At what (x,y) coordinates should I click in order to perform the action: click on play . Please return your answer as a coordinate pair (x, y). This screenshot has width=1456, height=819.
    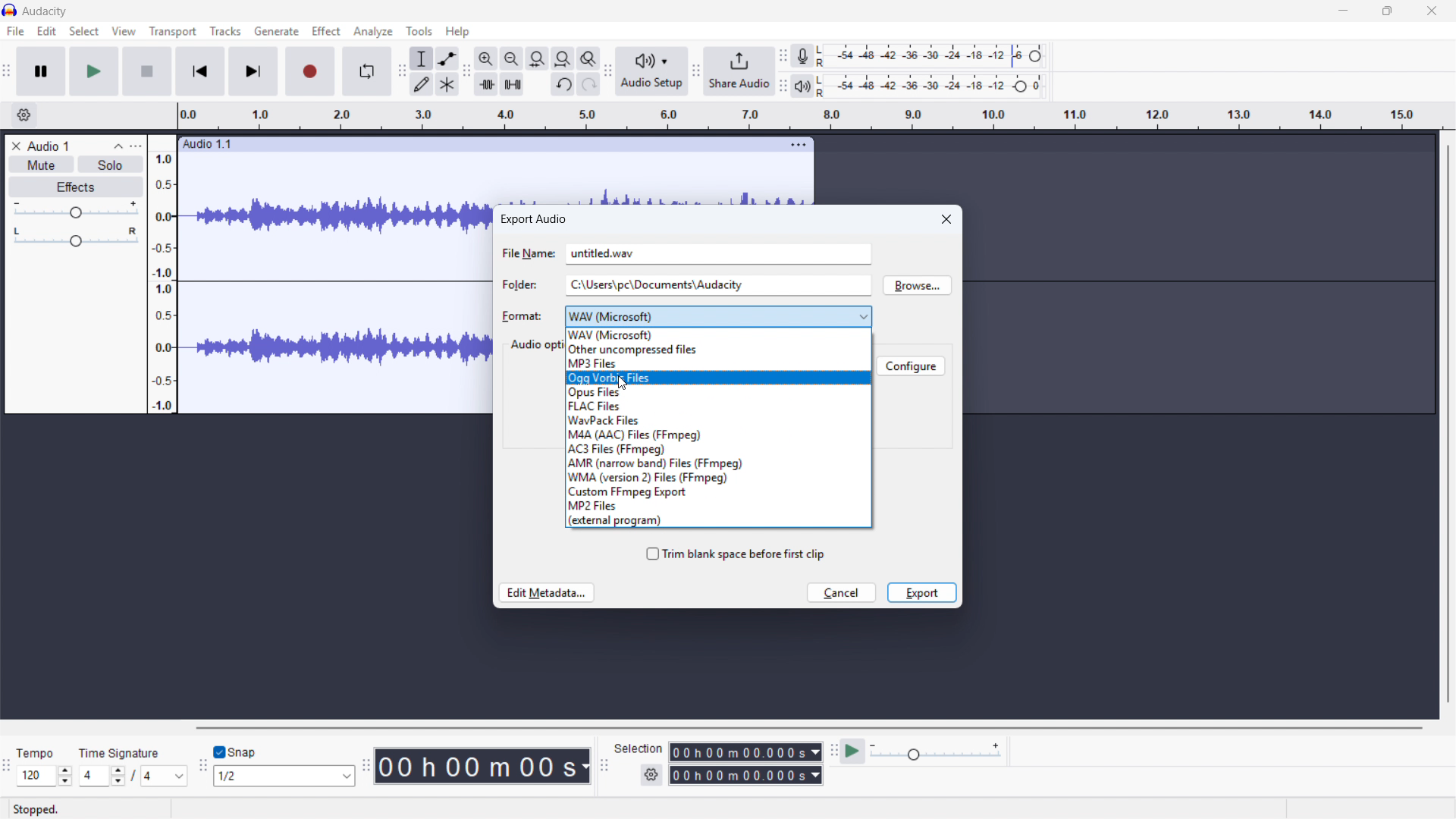
    Looking at the image, I should click on (95, 72).